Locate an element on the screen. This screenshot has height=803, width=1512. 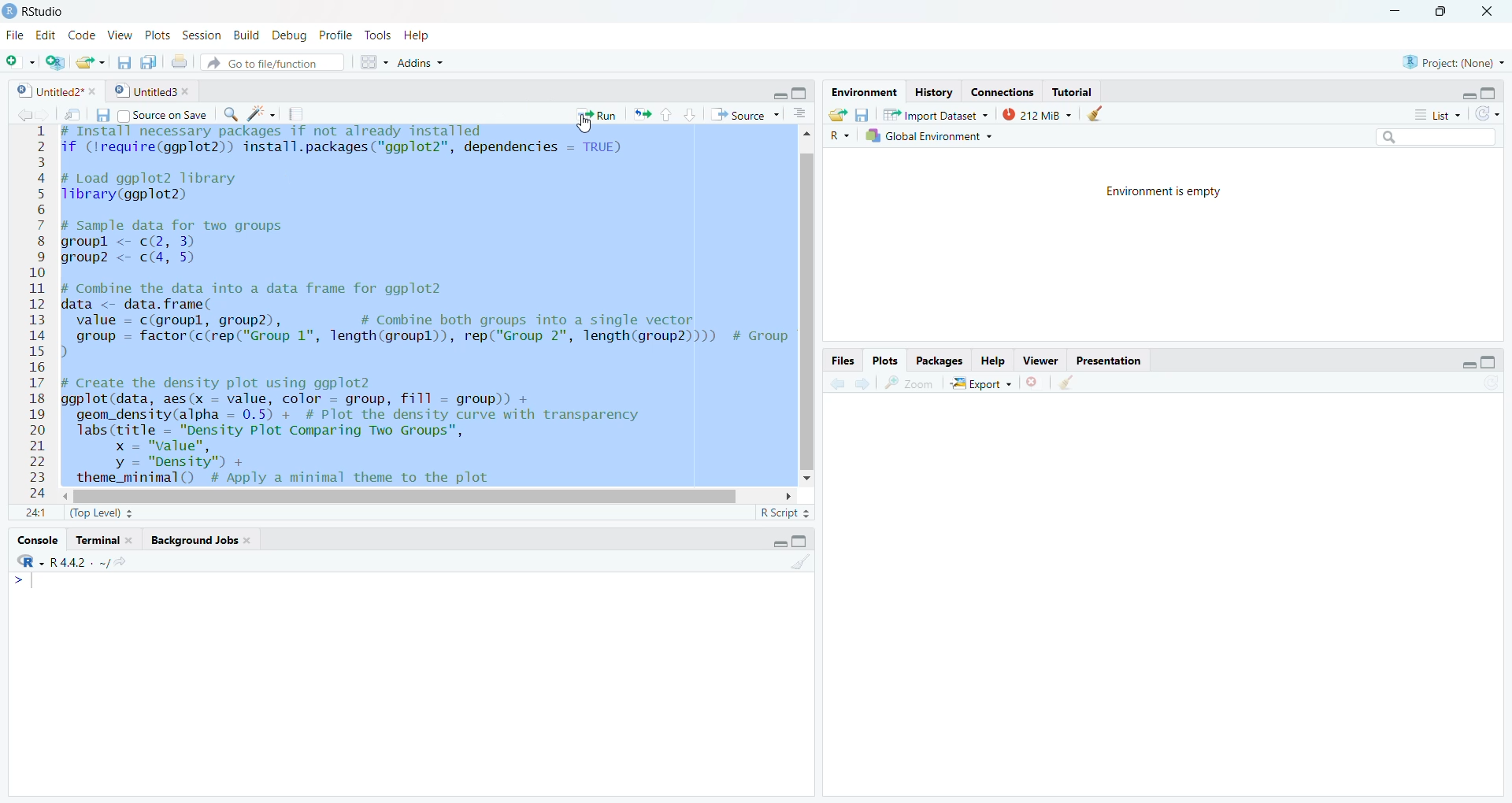
session is located at coordinates (205, 34).